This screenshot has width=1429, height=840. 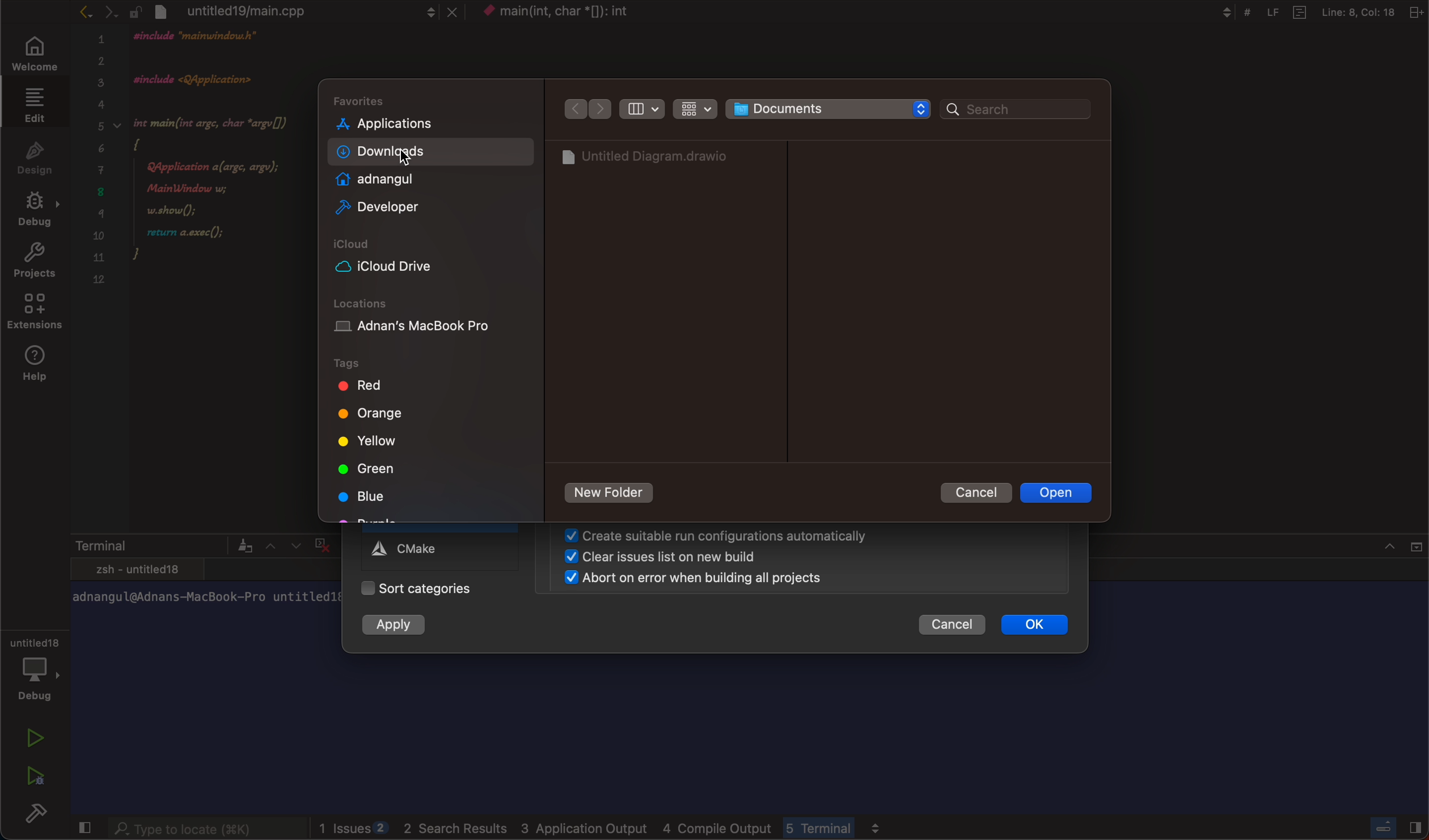 I want to click on clear issues, so click(x=659, y=558).